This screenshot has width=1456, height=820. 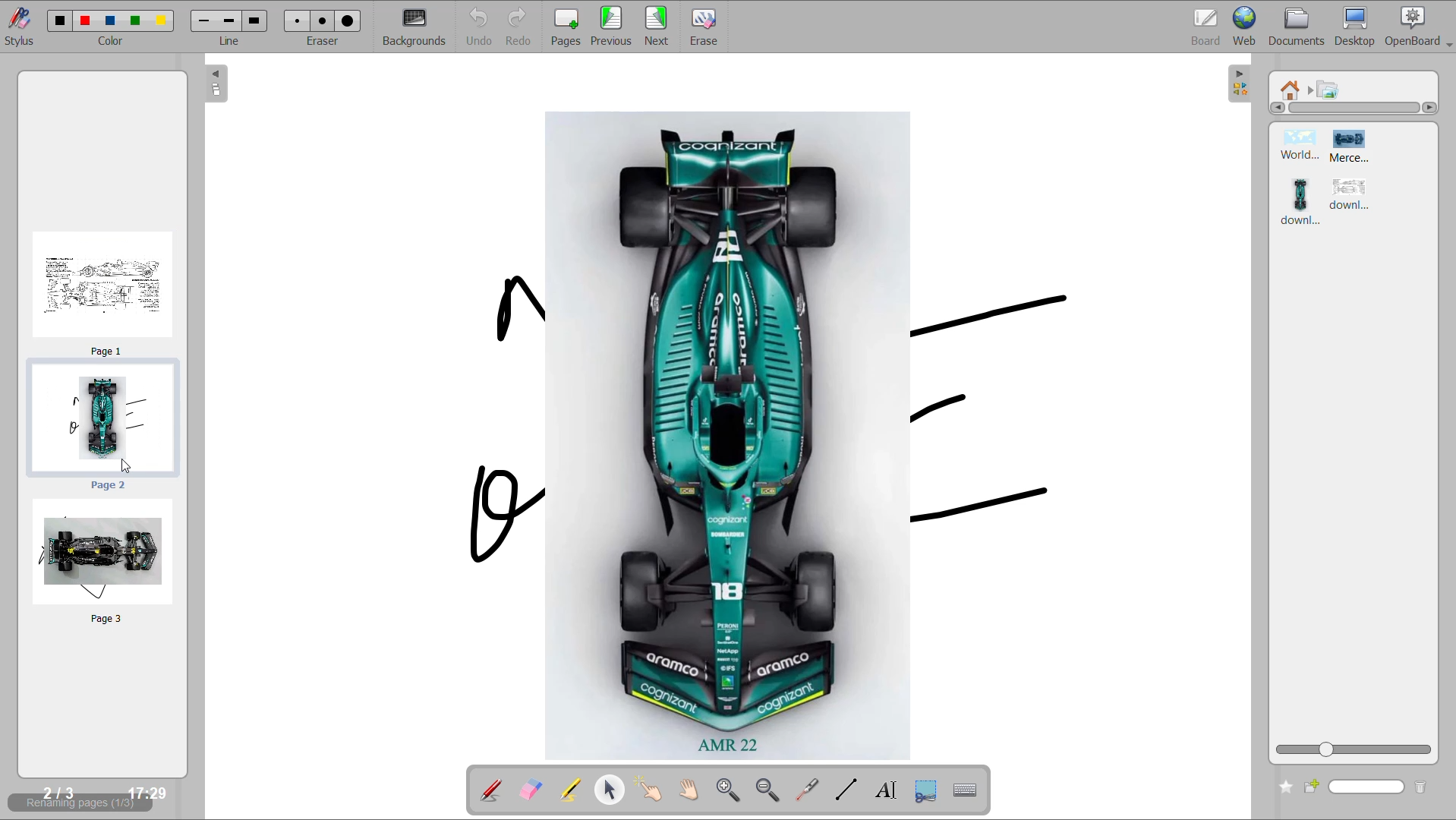 What do you see at coordinates (104, 562) in the screenshot?
I see `rearranged page 3` at bounding box center [104, 562].